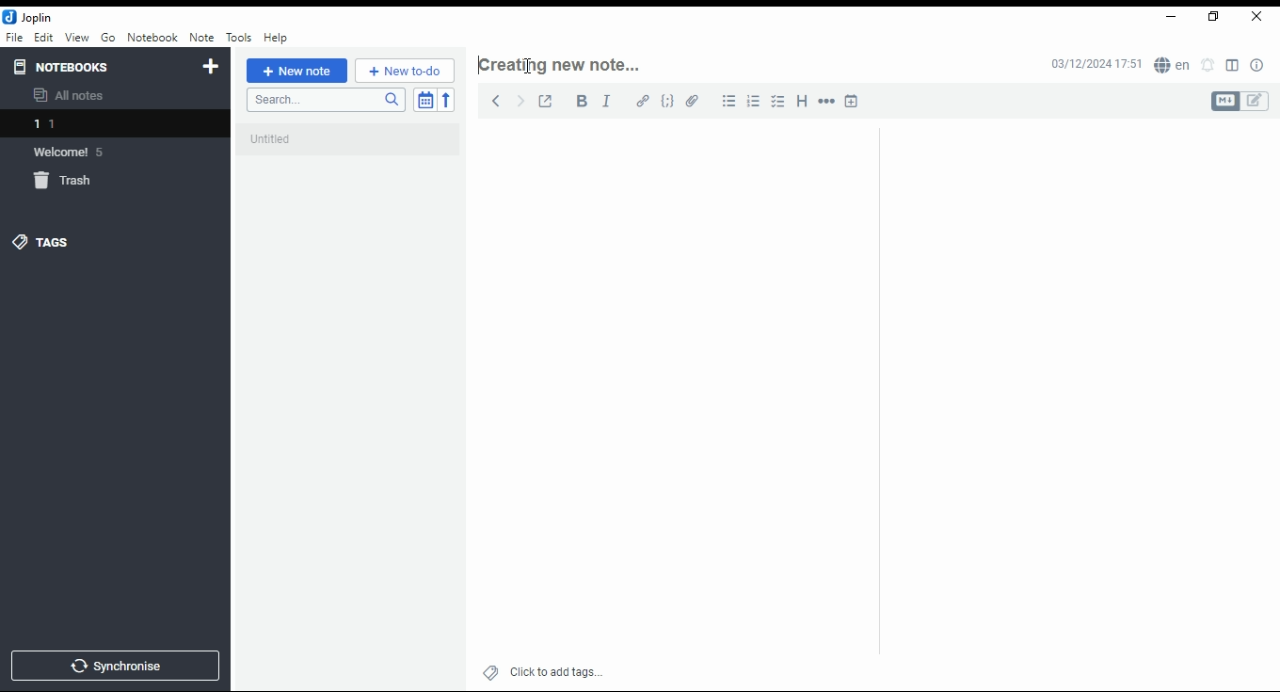 This screenshot has height=692, width=1280. I want to click on reverse sort order, so click(448, 99).